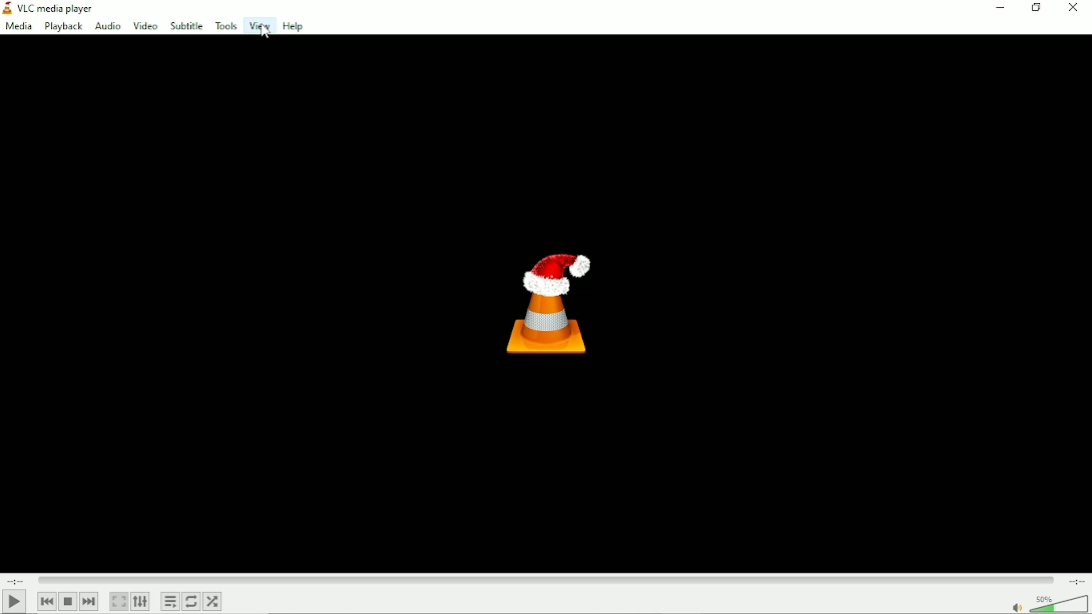 This screenshot has width=1092, height=614. Describe the element at coordinates (186, 25) in the screenshot. I see `Subtitle` at that location.